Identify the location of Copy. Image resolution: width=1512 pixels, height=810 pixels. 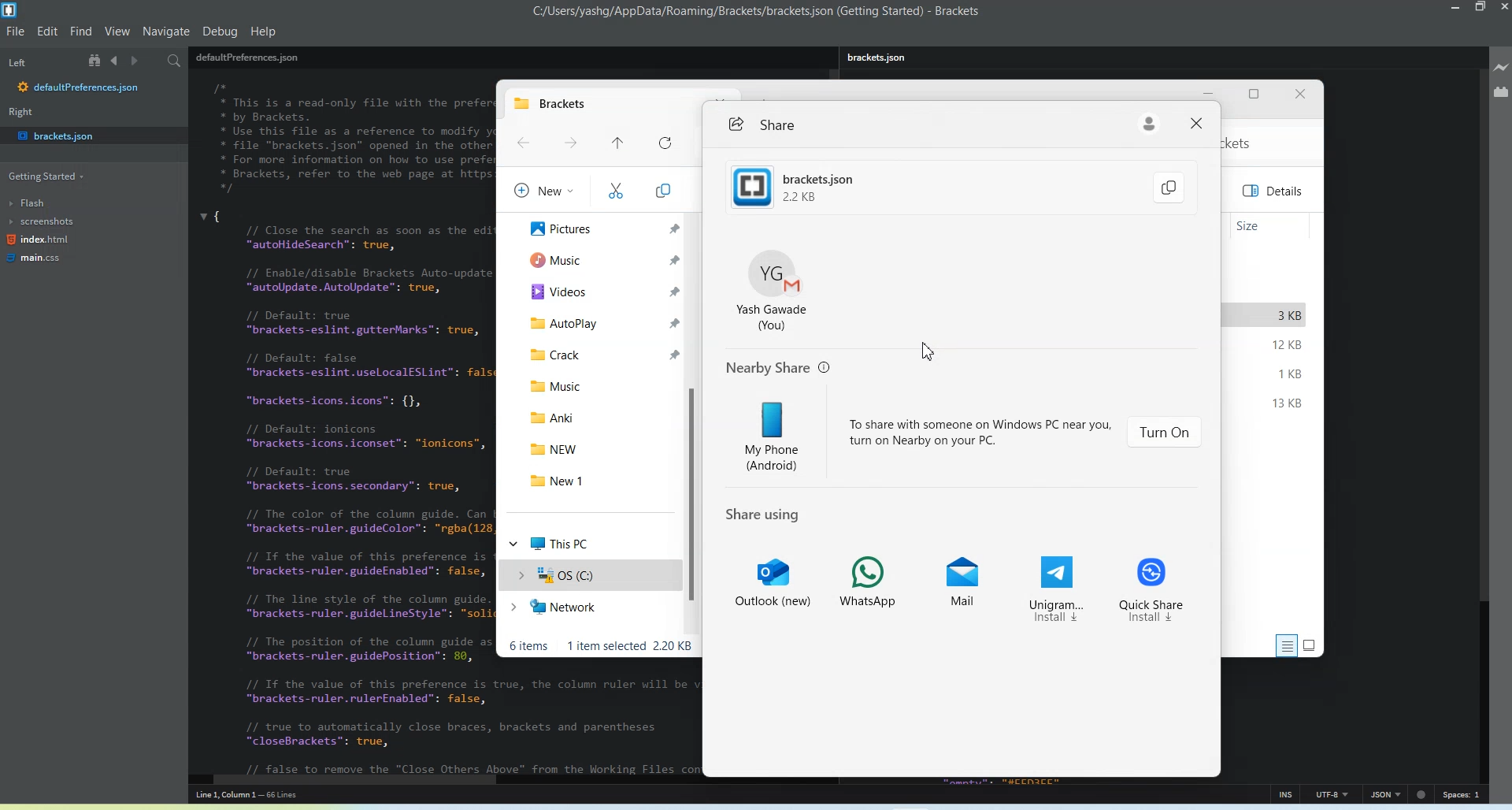
(663, 191).